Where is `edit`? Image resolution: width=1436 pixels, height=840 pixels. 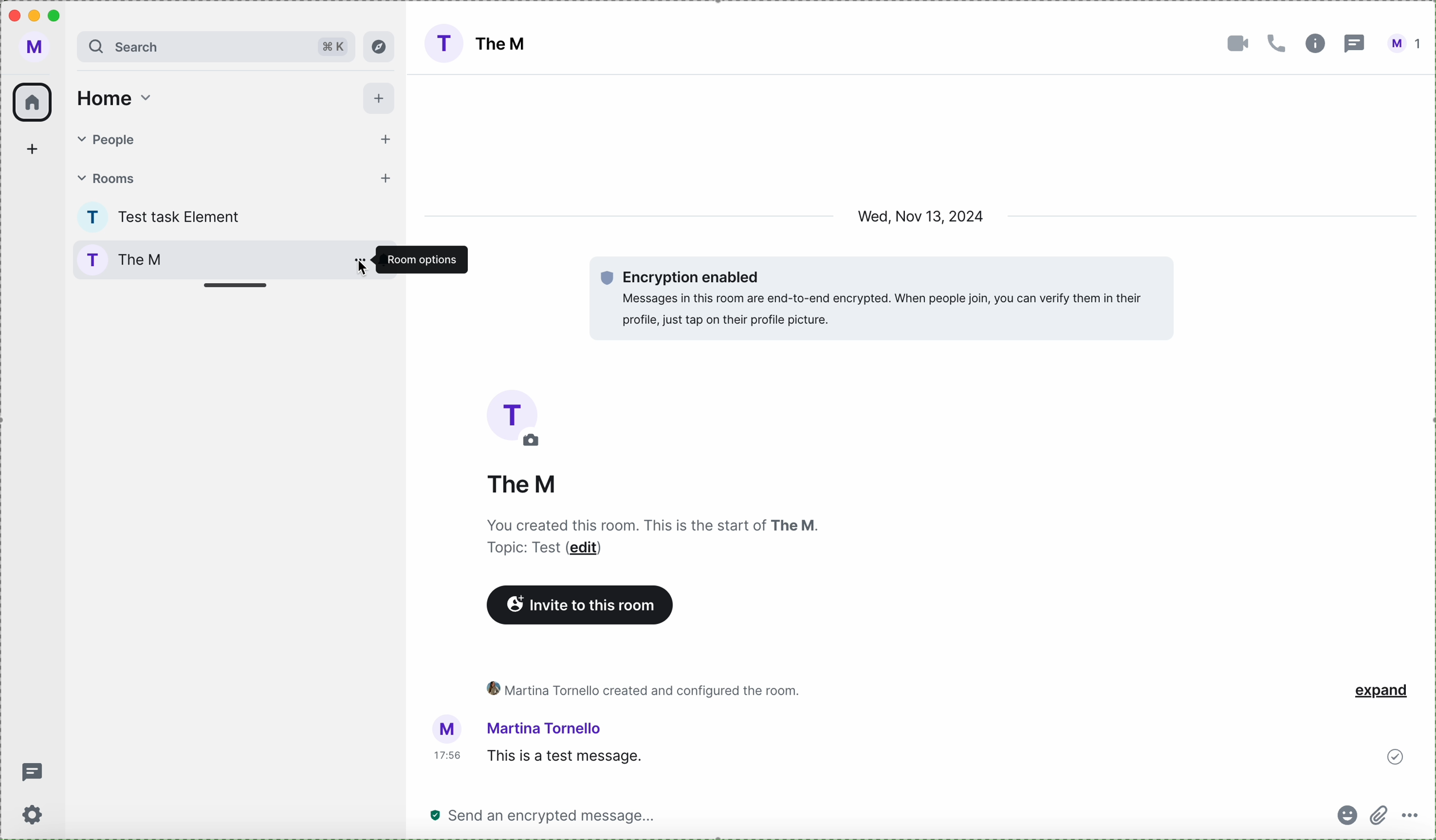
edit is located at coordinates (536, 442).